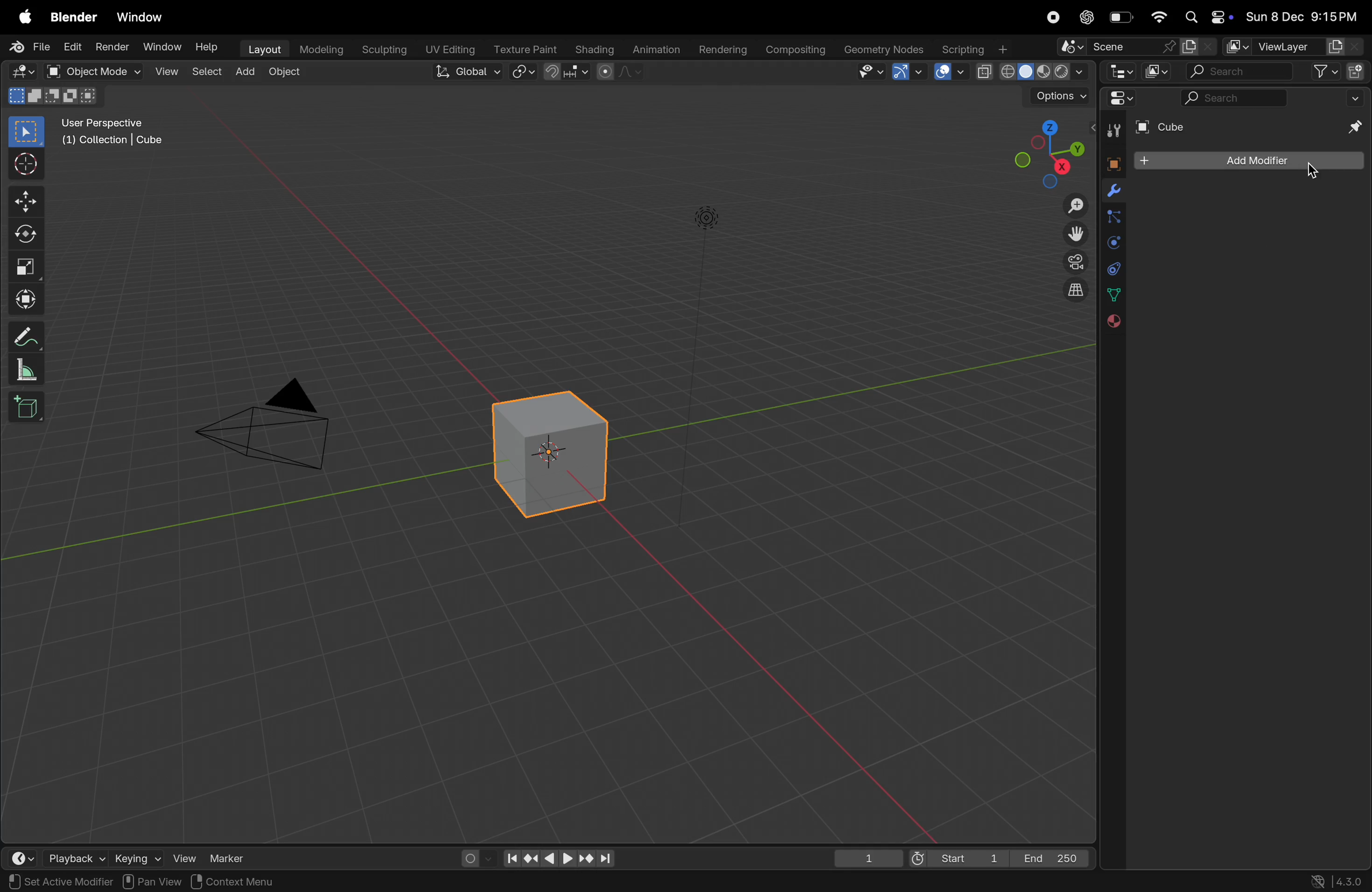  What do you see at coordinates (1110, 162) in the screenshot?
I see `object` at bounding box center [1110, 162].